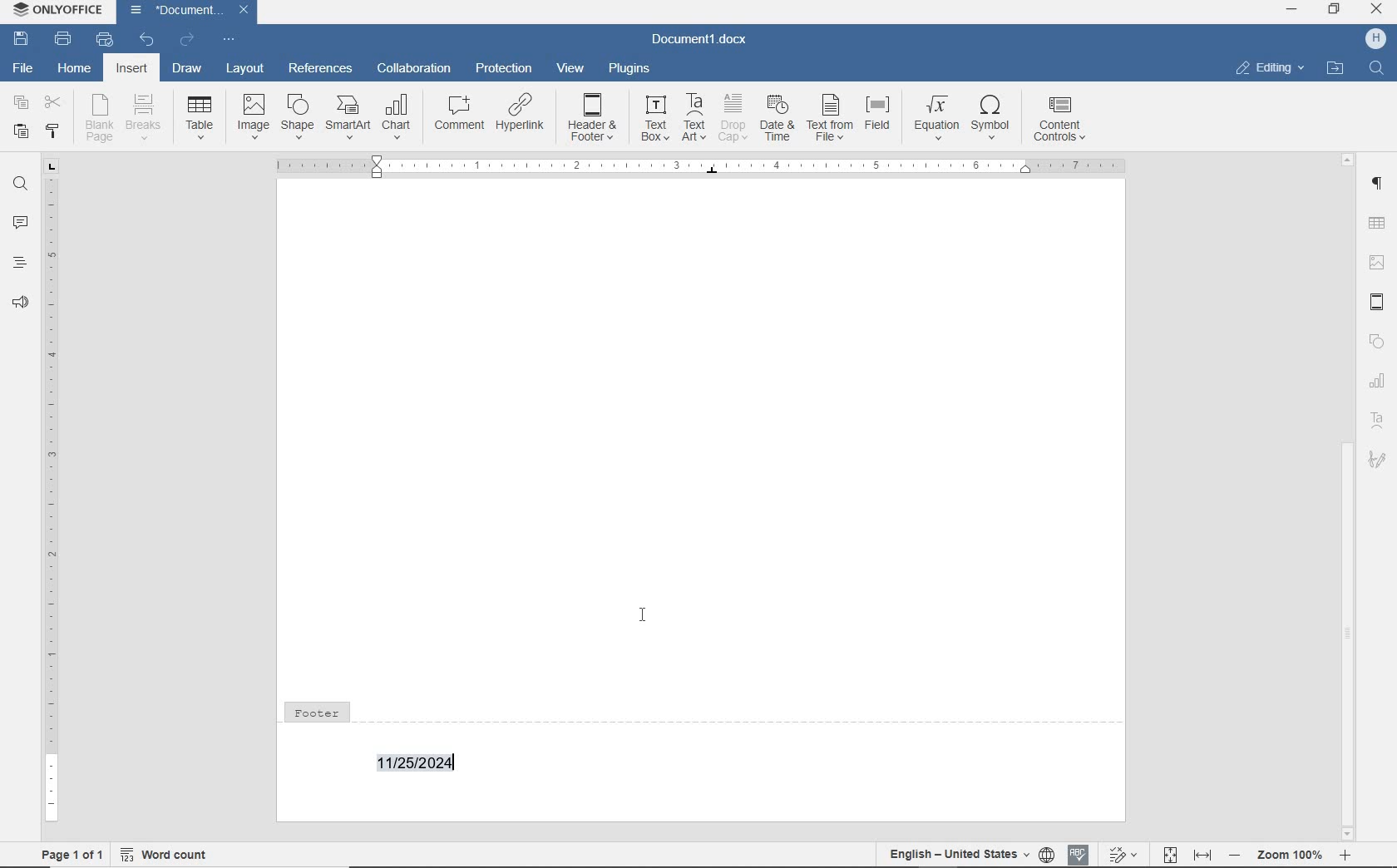 The height and width of the screenshot is (868, 1397). I want to click on hyperlink, so click(519, 111).